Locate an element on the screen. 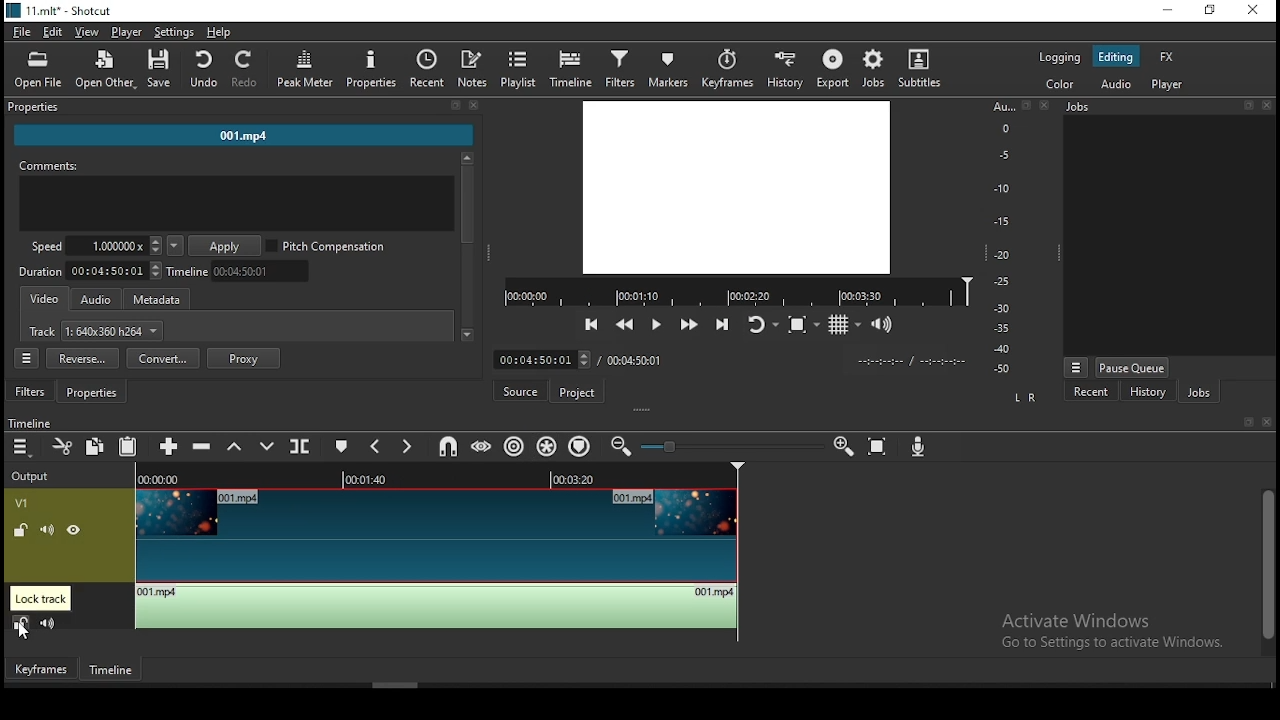  record audio is located at coordinates (919, 448).